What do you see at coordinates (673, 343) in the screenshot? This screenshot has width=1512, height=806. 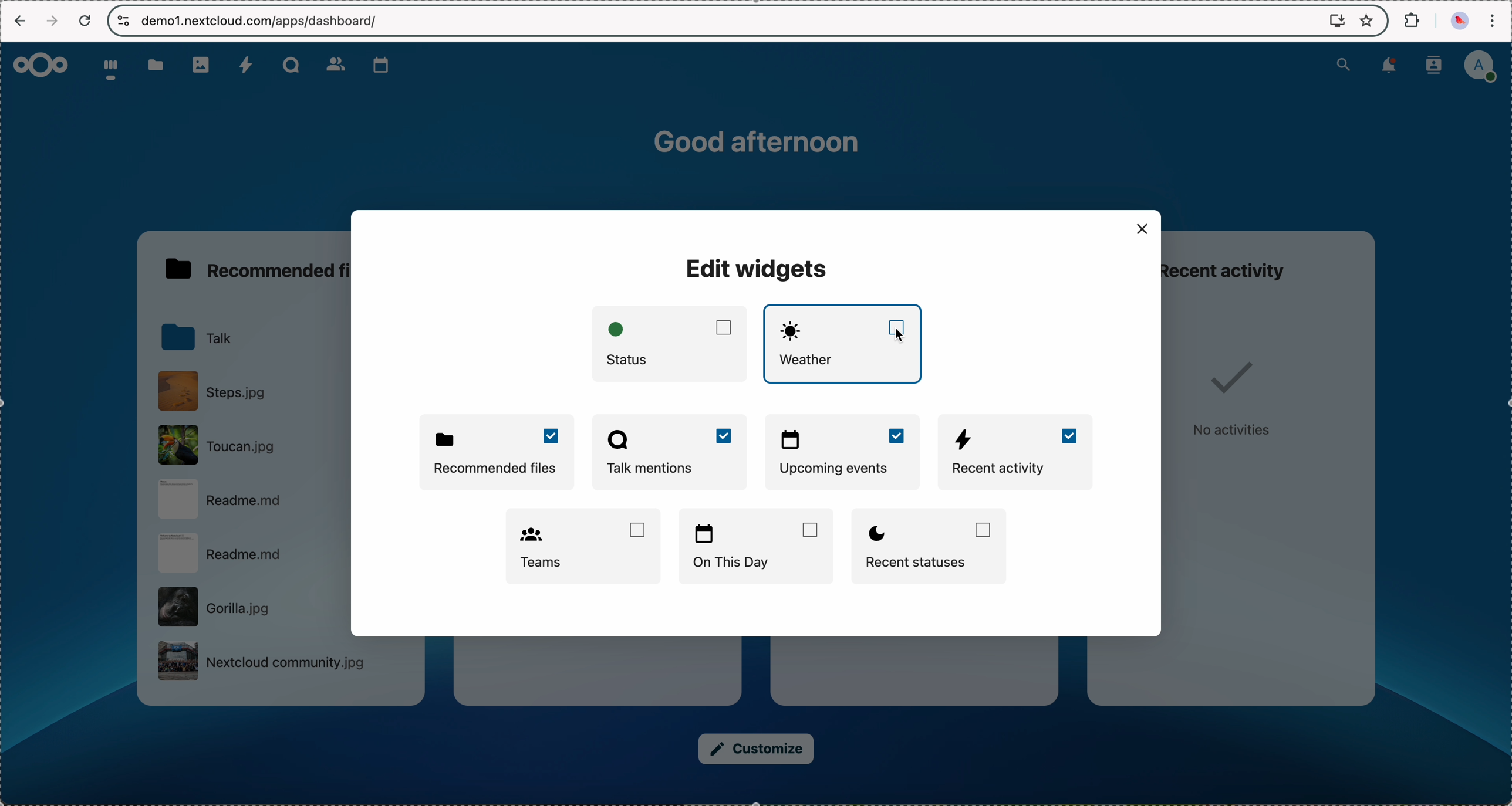 I see `status` at bounding box center [673, 343].